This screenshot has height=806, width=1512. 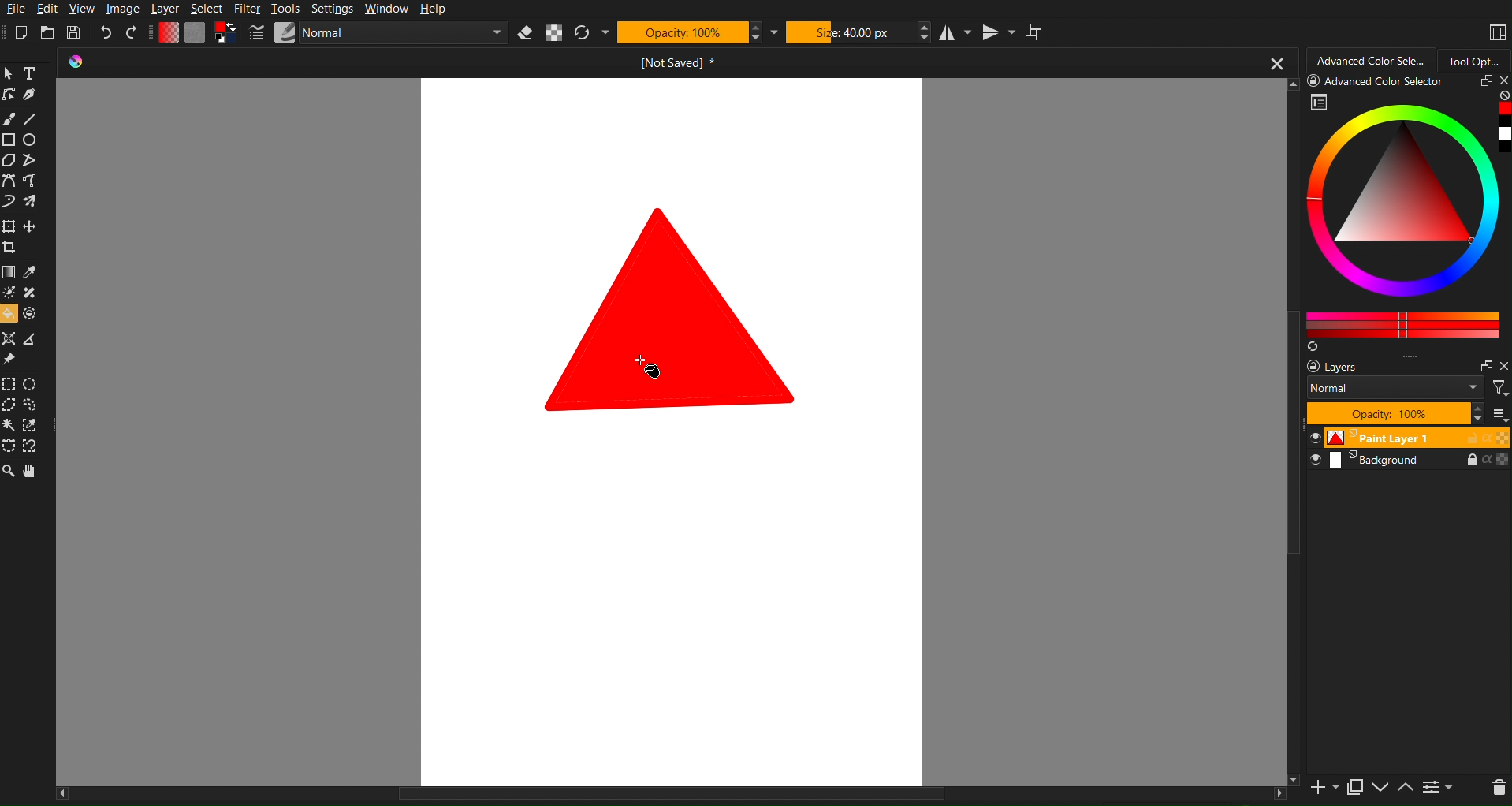 I want to click on fill a contiguous area of color with a color, or fill a selection, so click(x=9, y=314).